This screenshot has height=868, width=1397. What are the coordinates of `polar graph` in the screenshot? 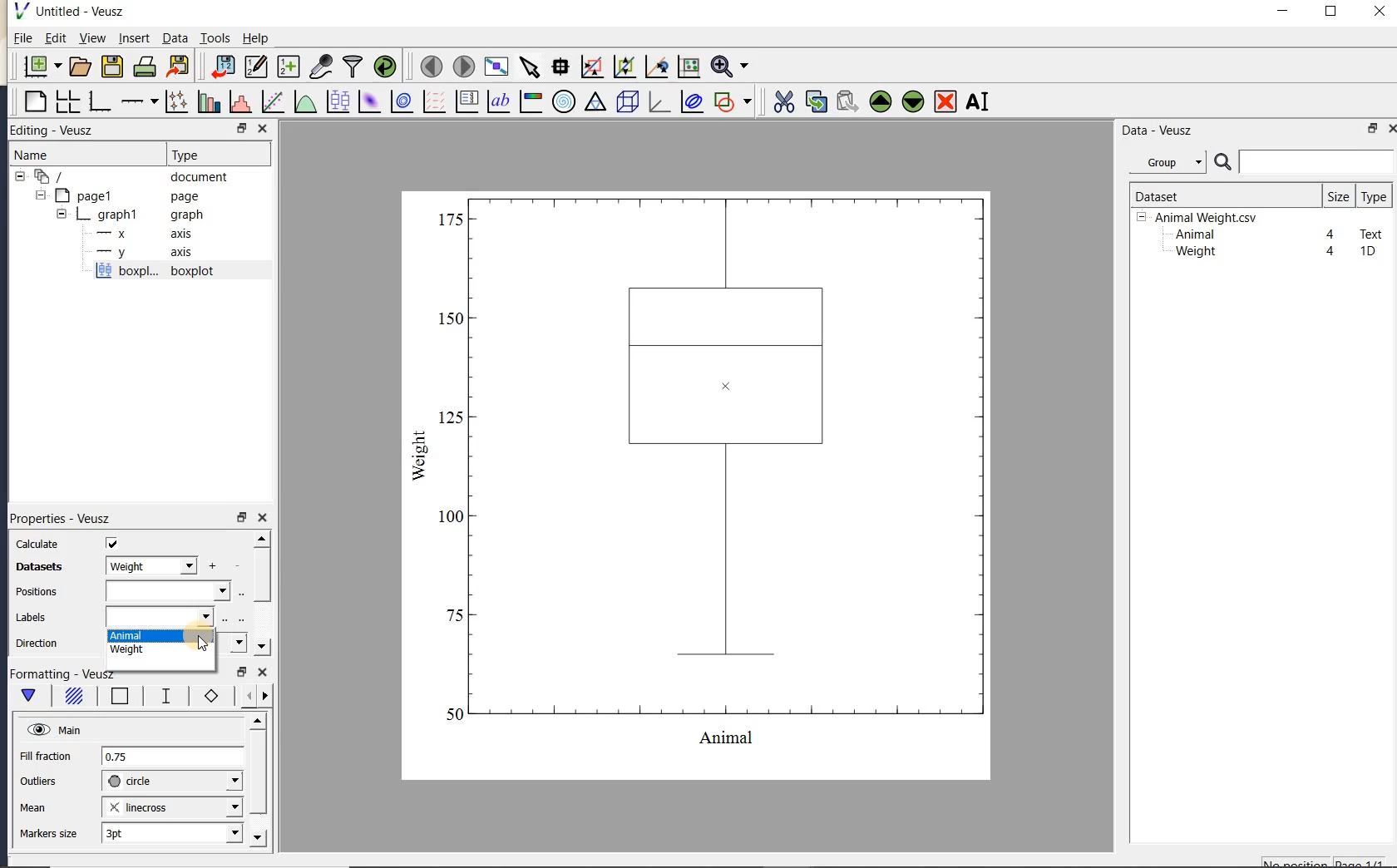 It's located at (563, 101).